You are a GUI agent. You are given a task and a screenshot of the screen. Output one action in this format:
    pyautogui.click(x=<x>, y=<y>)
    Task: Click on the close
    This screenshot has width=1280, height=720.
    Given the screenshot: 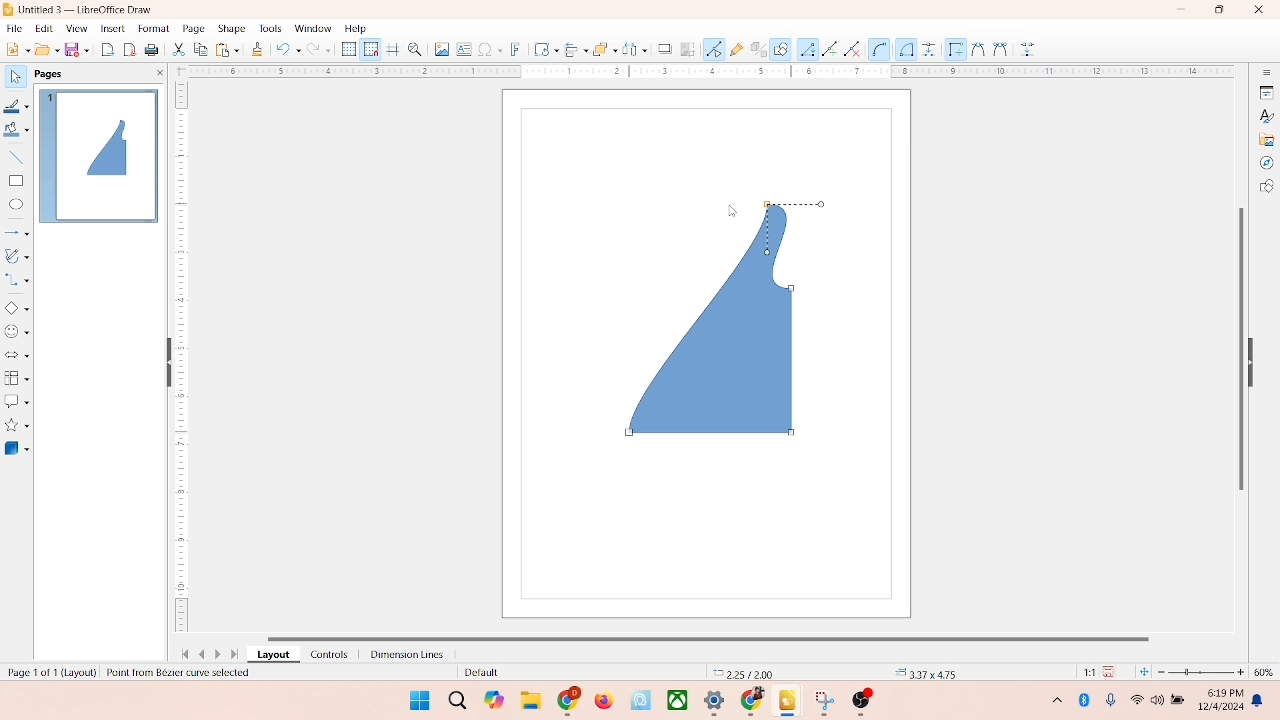 What is the action you would take?
    pyautogui.click(x=1254, y=11)
    